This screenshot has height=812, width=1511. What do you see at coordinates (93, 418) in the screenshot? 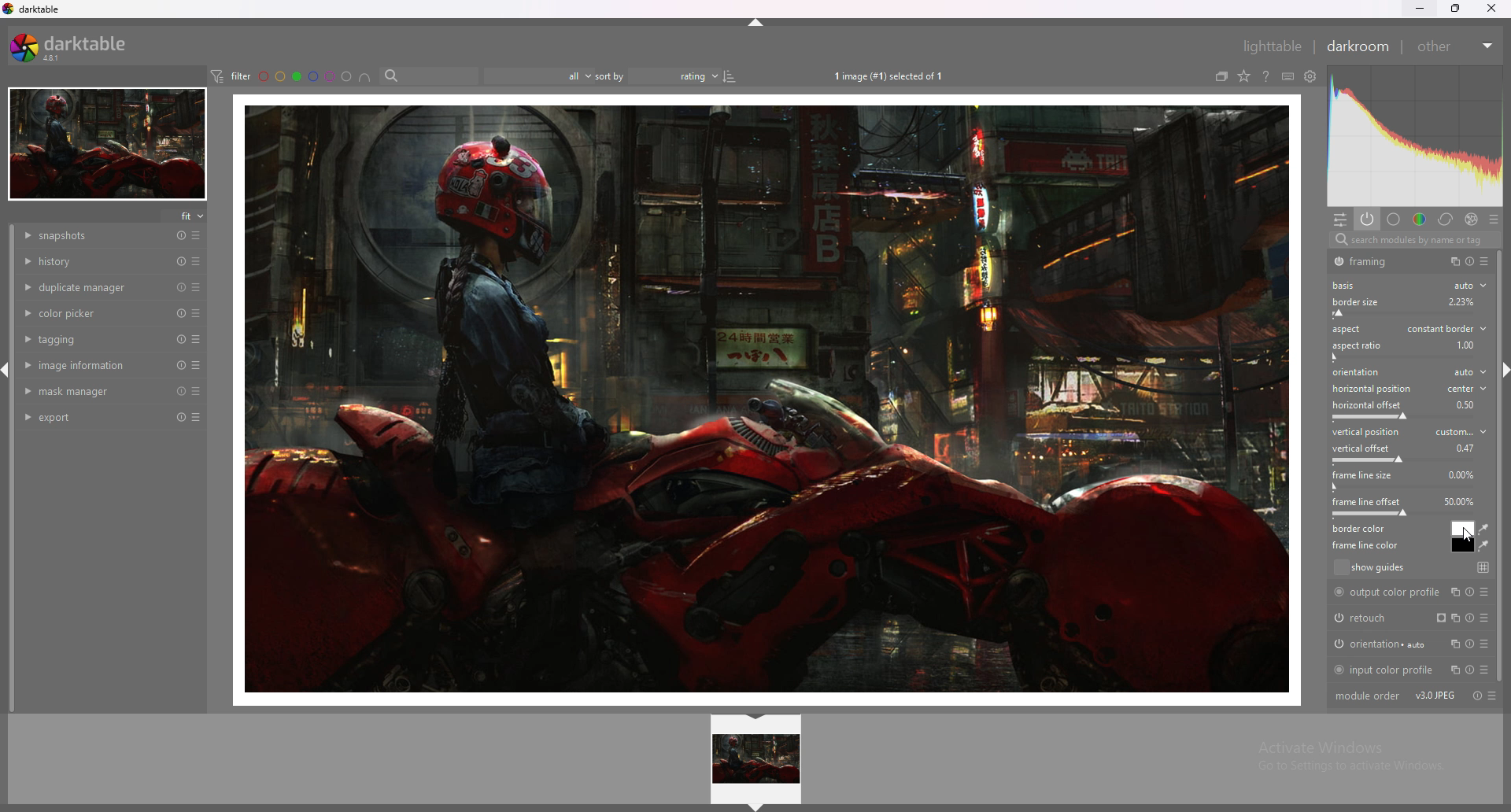
I see `export` at bounding box center [93, 418].